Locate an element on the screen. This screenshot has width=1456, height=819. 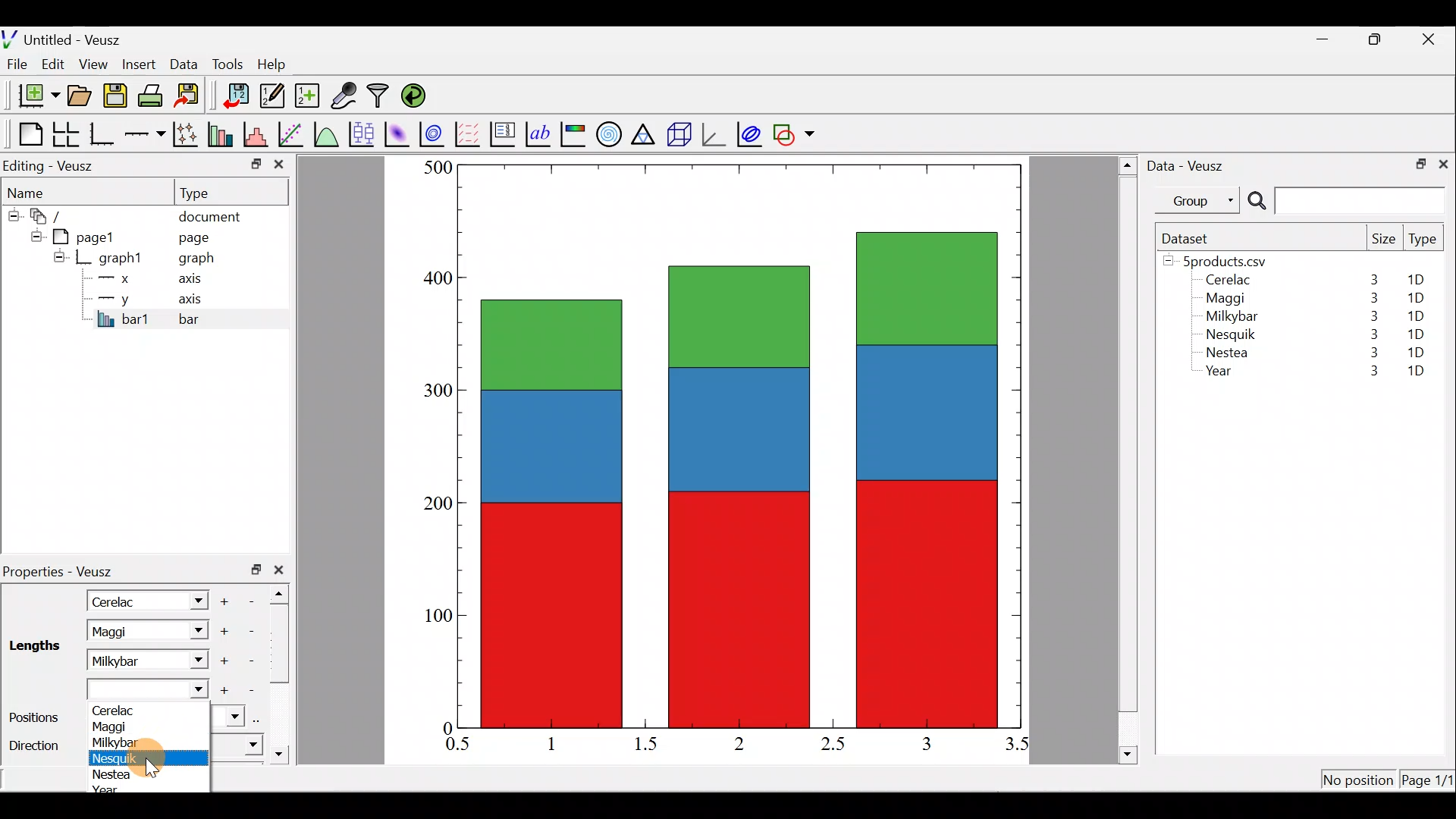
Milkybar is located at coordinates (114, 742).